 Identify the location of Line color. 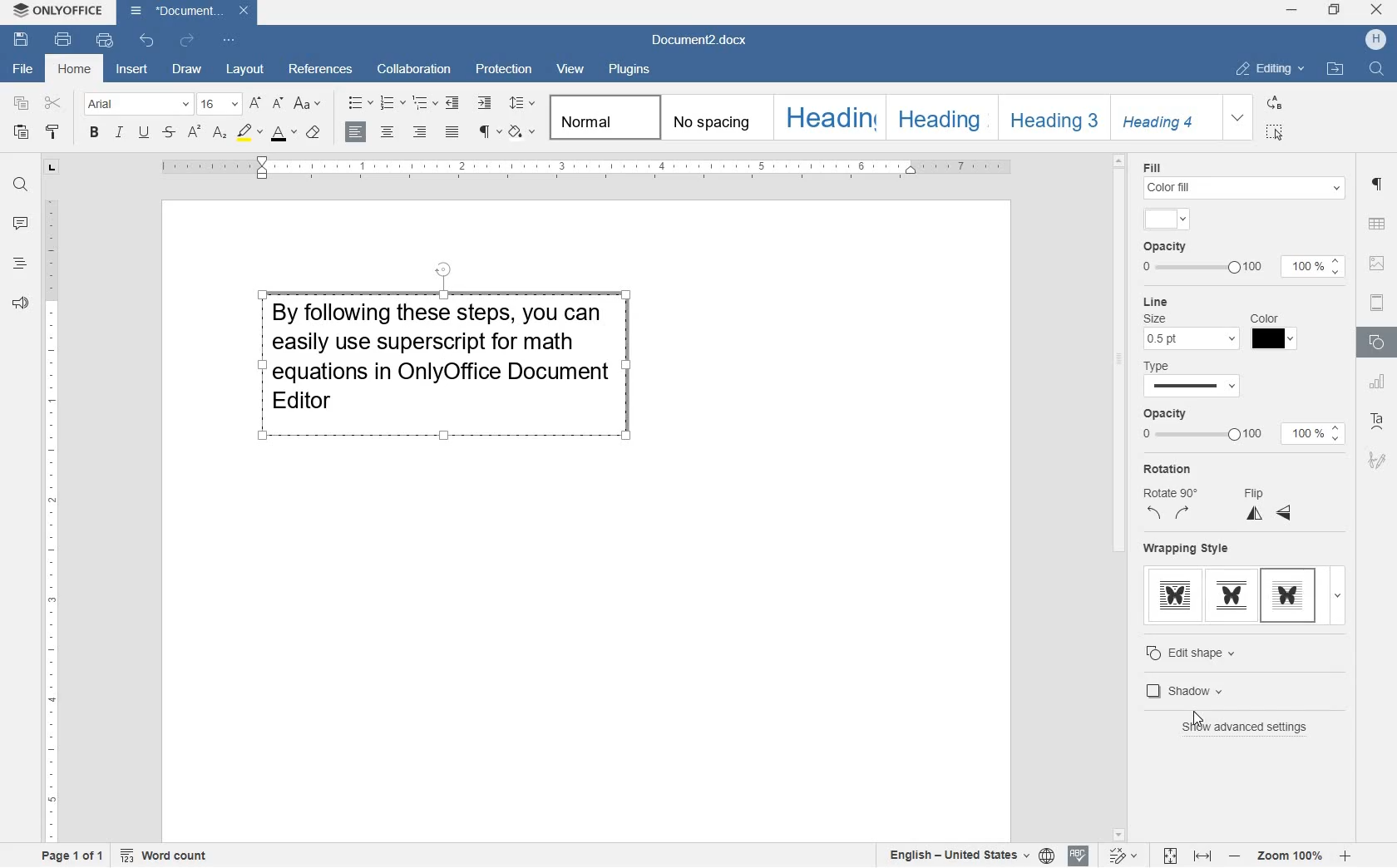
(1275, 333).